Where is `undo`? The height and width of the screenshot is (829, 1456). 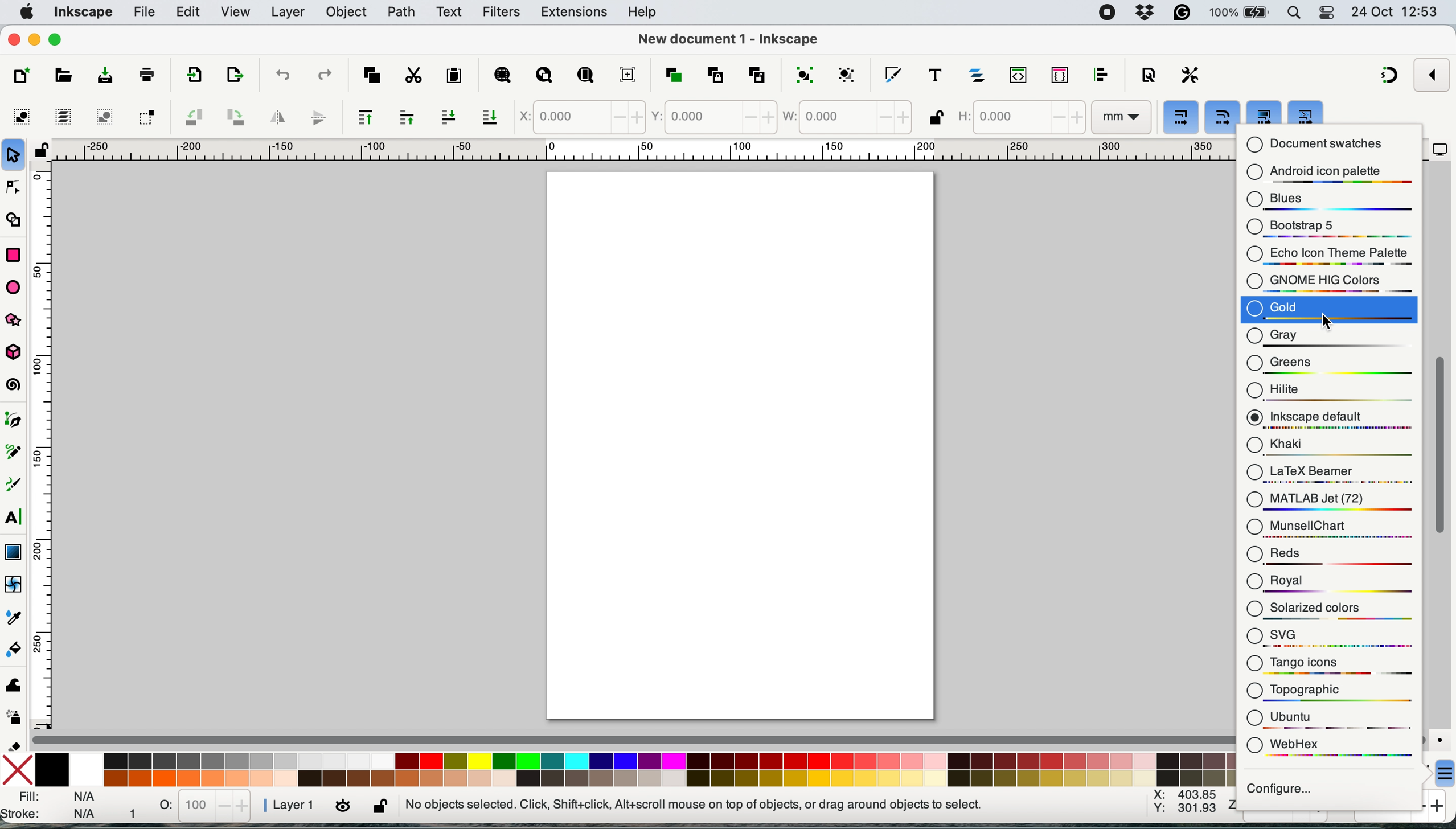
undo is located at coordinates (282, 75).